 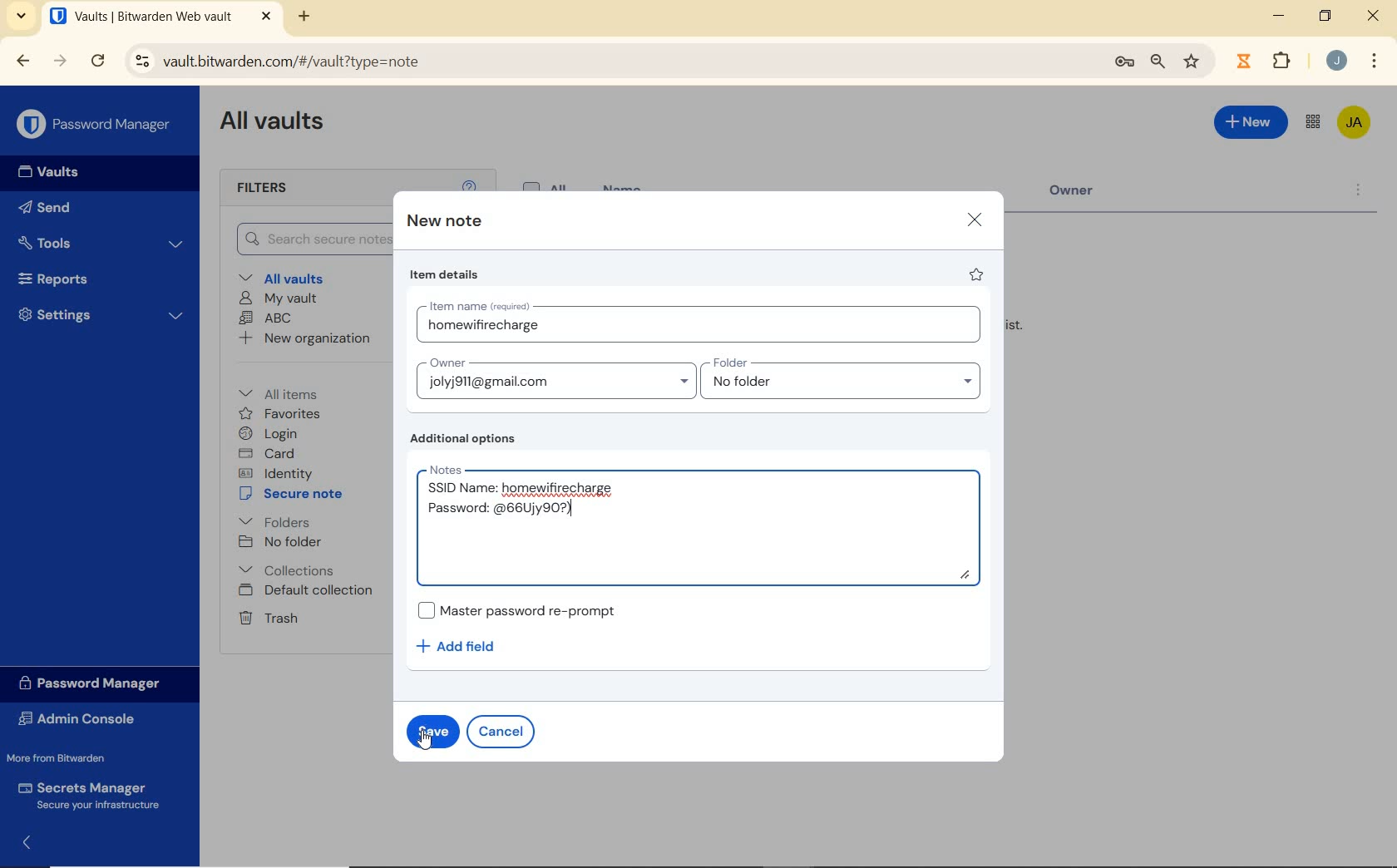 I want to click on Master password re-prompt, so click(x=526, y=609).